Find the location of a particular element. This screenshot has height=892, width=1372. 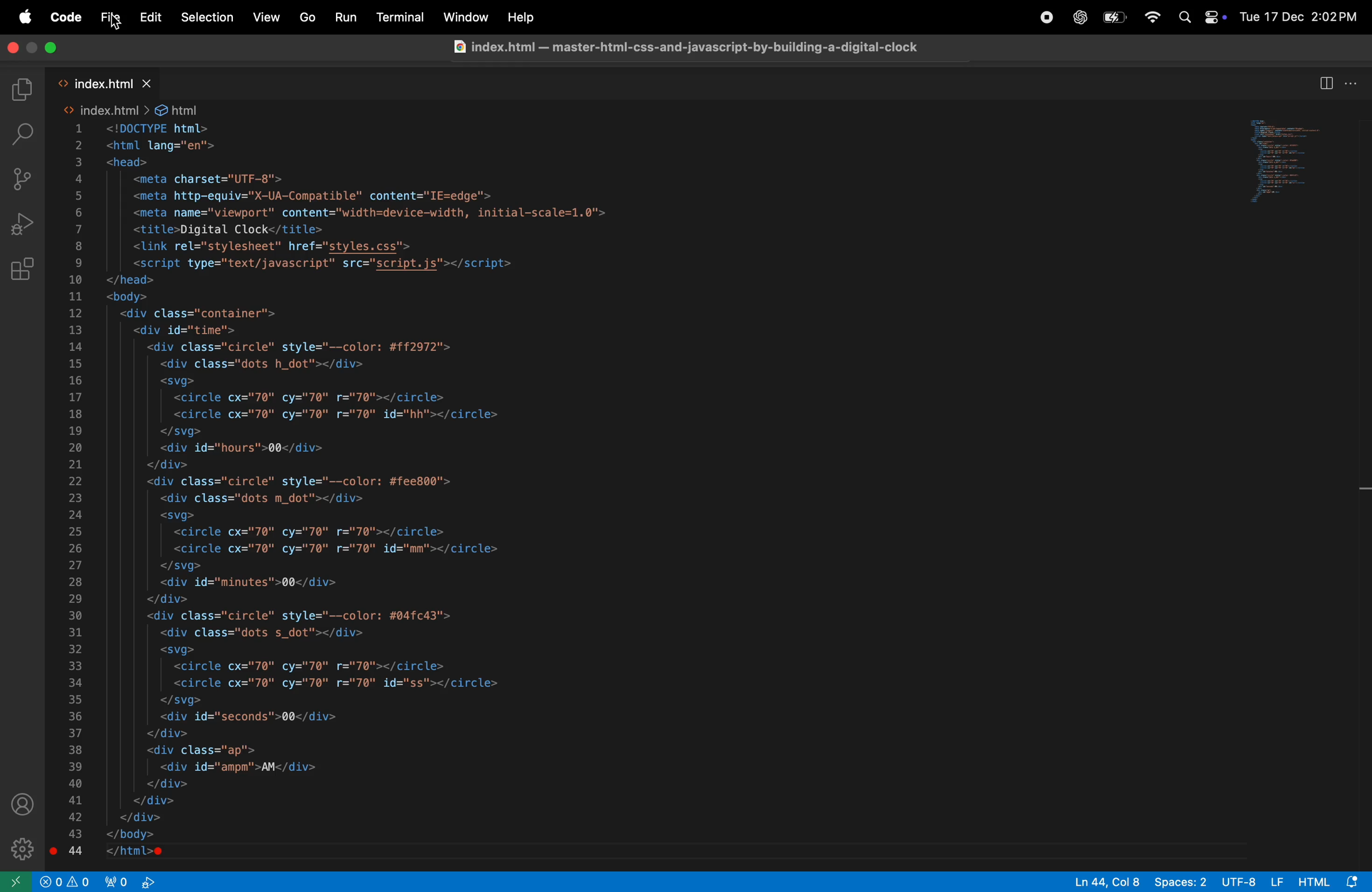

<html lang="en">
<head>
<meta charset="UTF-8">
<meta http-equiv="X-UA-Compatible" content="IE=edge'>
<meta name="viewport" content="width=device-width, initial-scale=1.0">
<title>Digital Clock</title>
<link rel="stylesheet" href="styles.css">
<script type="text/javascript" src="script.js"></script>
</head>
<body>
<div class="container">
<div id="time">
<div class="circle" style="--color: #ff2972">
<div class="dots h_dot"></div>
<svg>
<circle cx="70" cy="70" r="70"></circle>
<circle cx="70" cy="70" r="70" id="hh"></circle>
</svg>
<div id="hours">00</div>
</div>
<div class="circle" style="--color: #fee800">
<div class="dots m_dot"></div>
<svg>
<circle cx="70" cy="70" r="70"></circle>
<circle cx="70" cy="70" r="70" id="mm"></circle>
</svg>
<div id="minutes">00</div>
</div>
<div class="circle" style="--color: #04fc43">
<div class="dots s_dot"></div>
<svg>
<circle cx="70" cy="70" r="70"></circle>
<circle cx="70" cy="70" r="70" id="ss"></circle>
</svg>
<div id="seconds">00</div>
</div>
<div class="ap">
<div id="ampm">AM</div>
</div>
</div>
</div>
</body>
</html>e is located at coordinates (357, 491).